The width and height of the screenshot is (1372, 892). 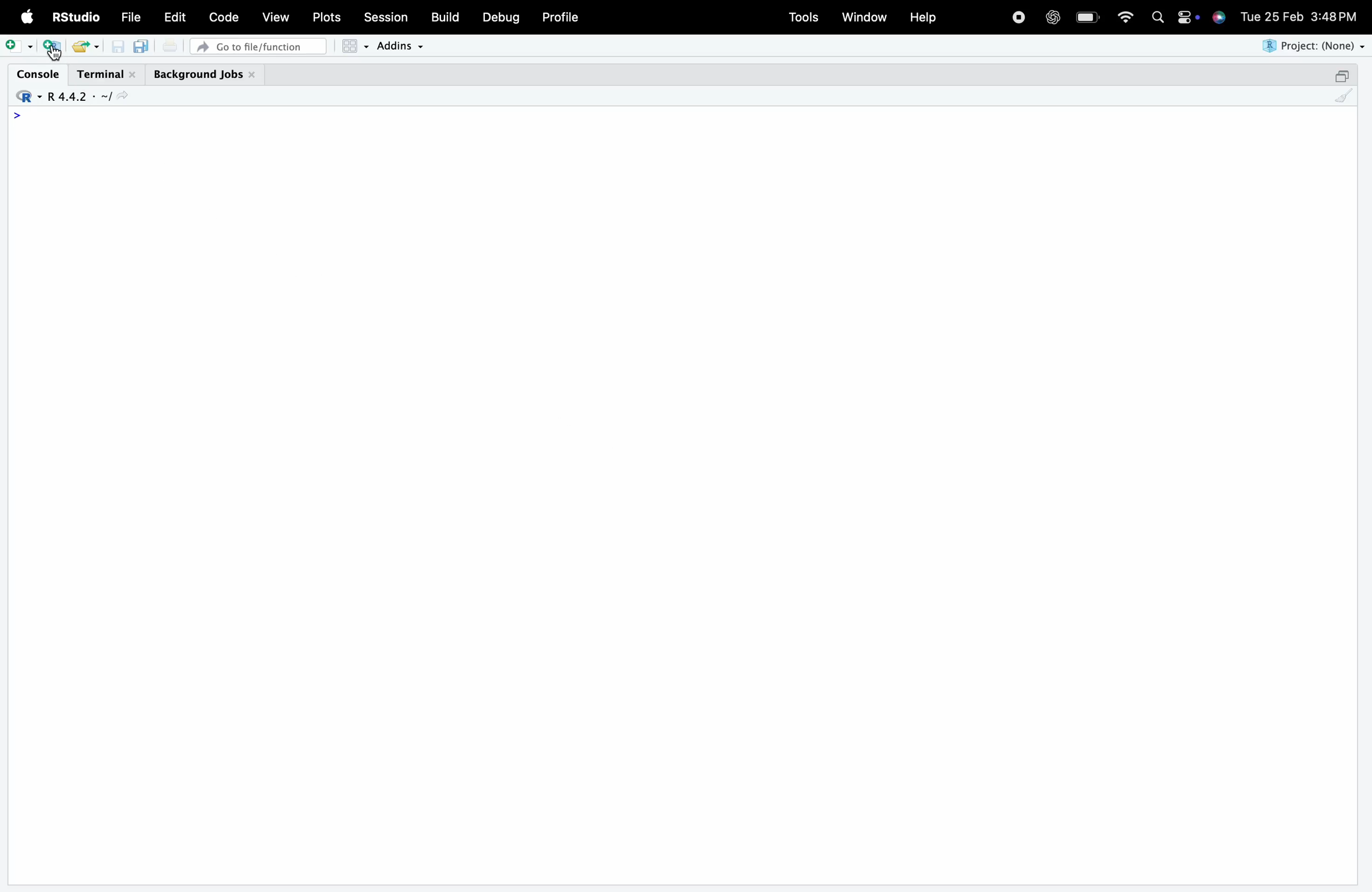 What do you see at coordinates (864, 16) in the screenshot?
I see `Window` at bounding box center [864, 16].